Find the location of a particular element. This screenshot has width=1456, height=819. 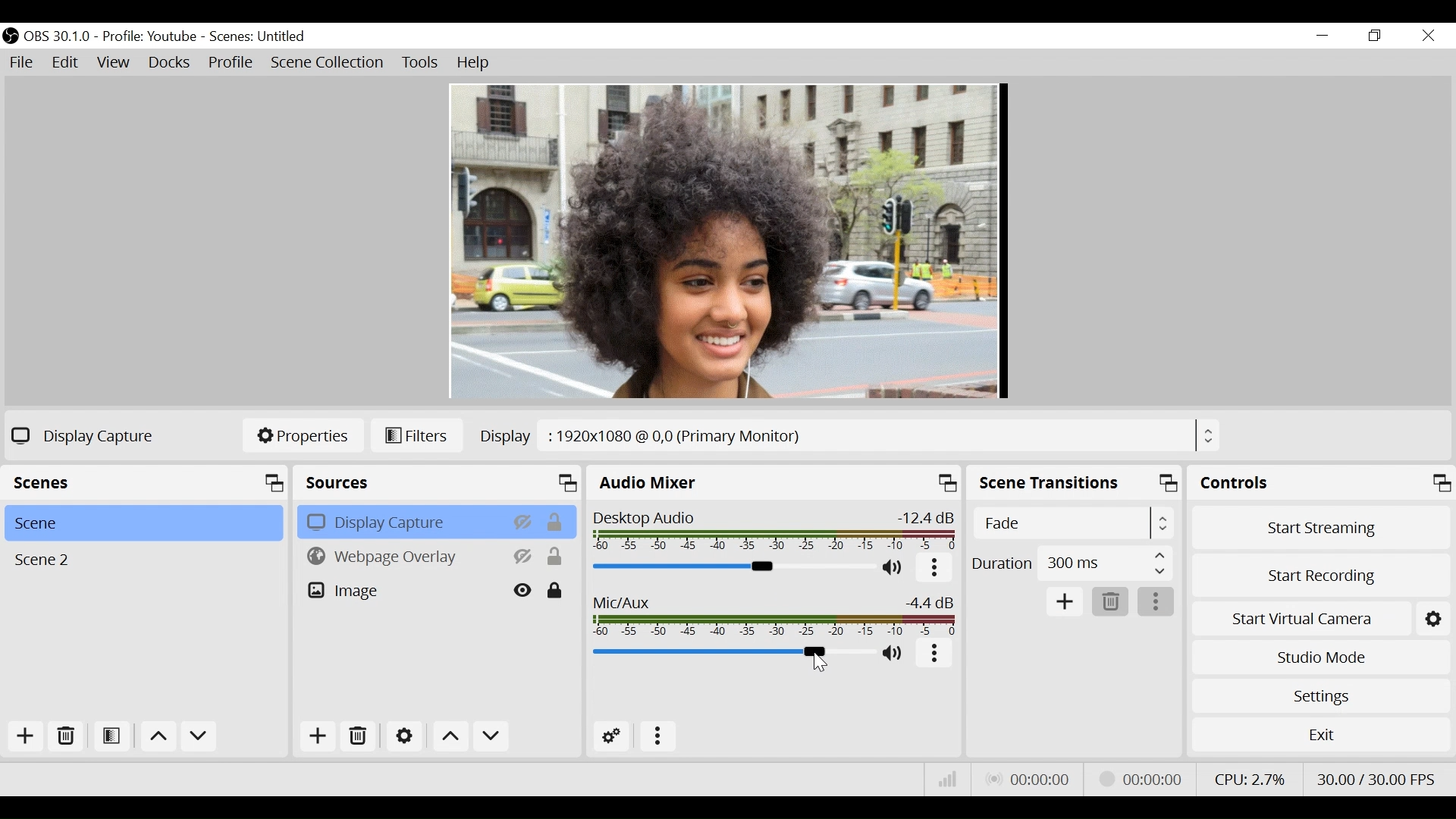

(un)mute is located at coordinates (897, 653).